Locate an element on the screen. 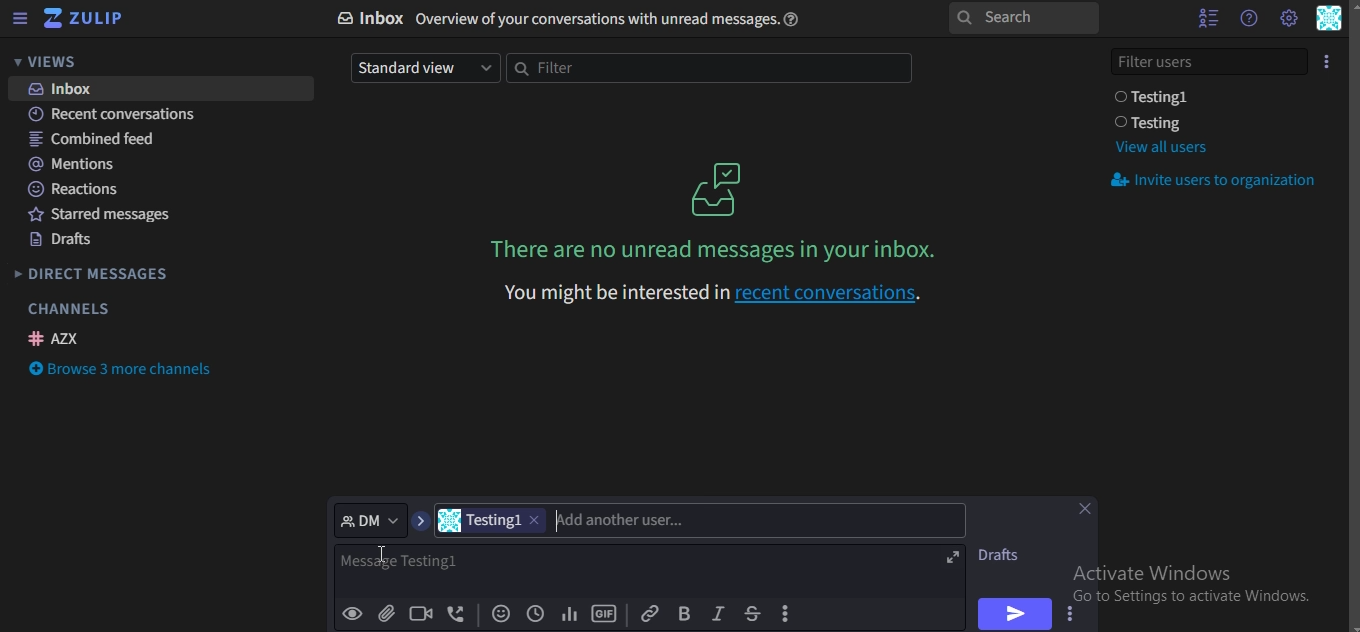 This screenshot has width=1360, height=632. standard view is located at coordinates (422, 67).